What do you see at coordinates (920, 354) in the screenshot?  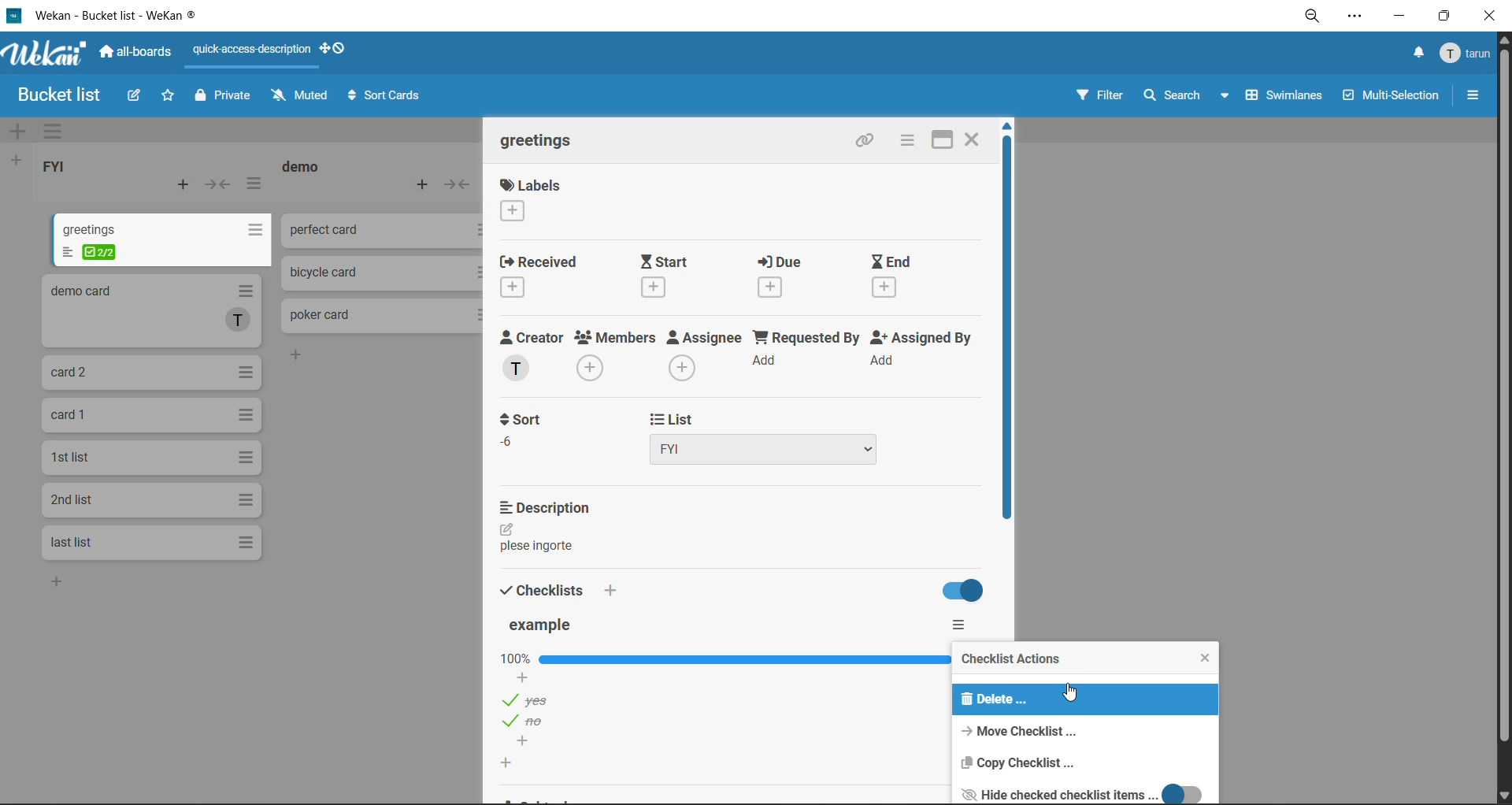 I see `assigned by` at bounding box center [920, 354].